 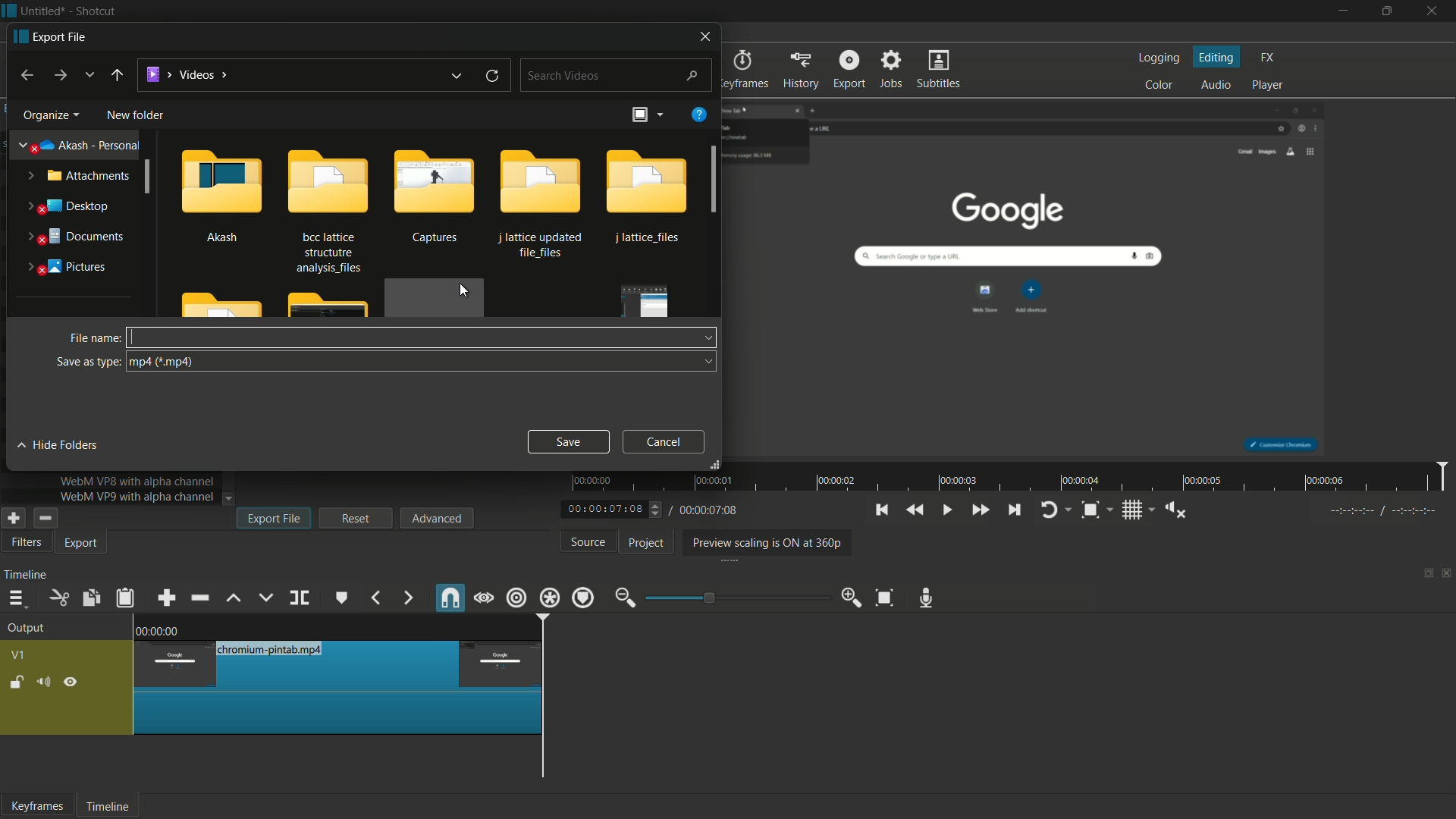 I want to click on editing, so click(x=1218, y=58).